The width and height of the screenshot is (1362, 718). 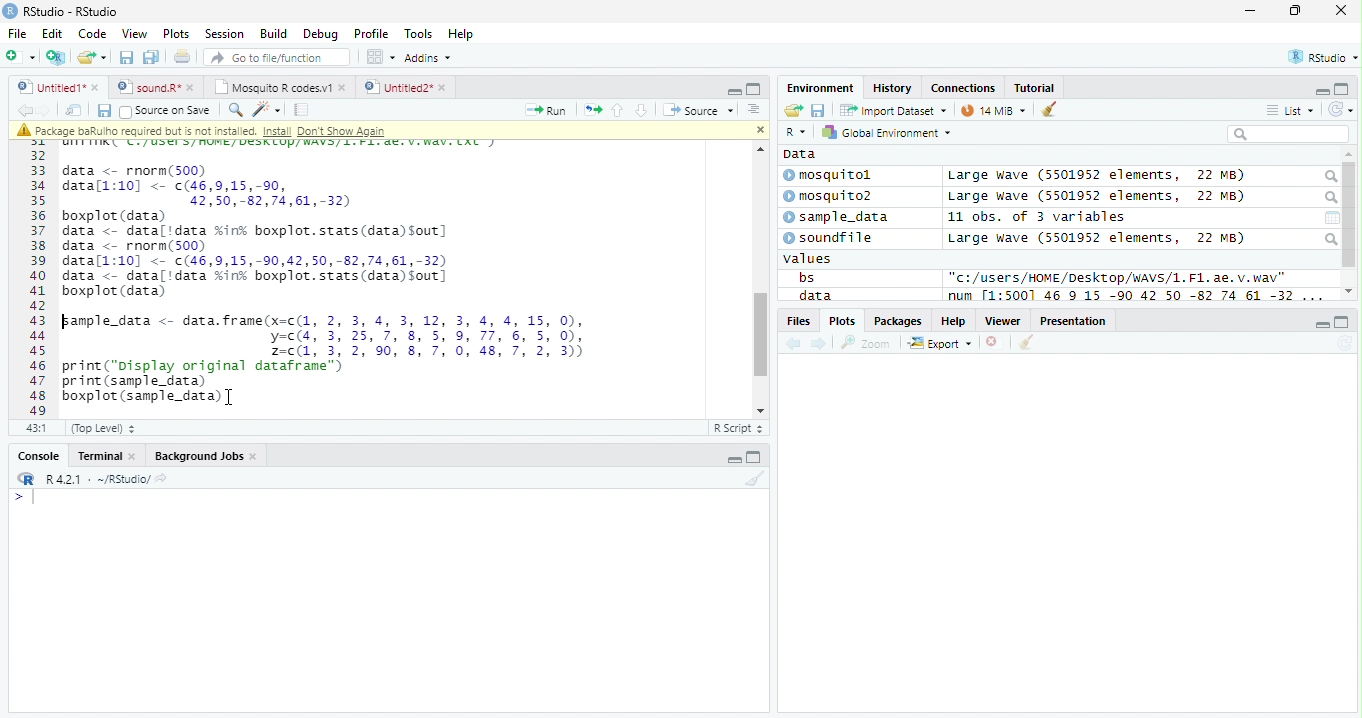 What do you see at coordinates (838, 218) in the screenshot?
I see `sample_data` at bounding box center [838, 218].